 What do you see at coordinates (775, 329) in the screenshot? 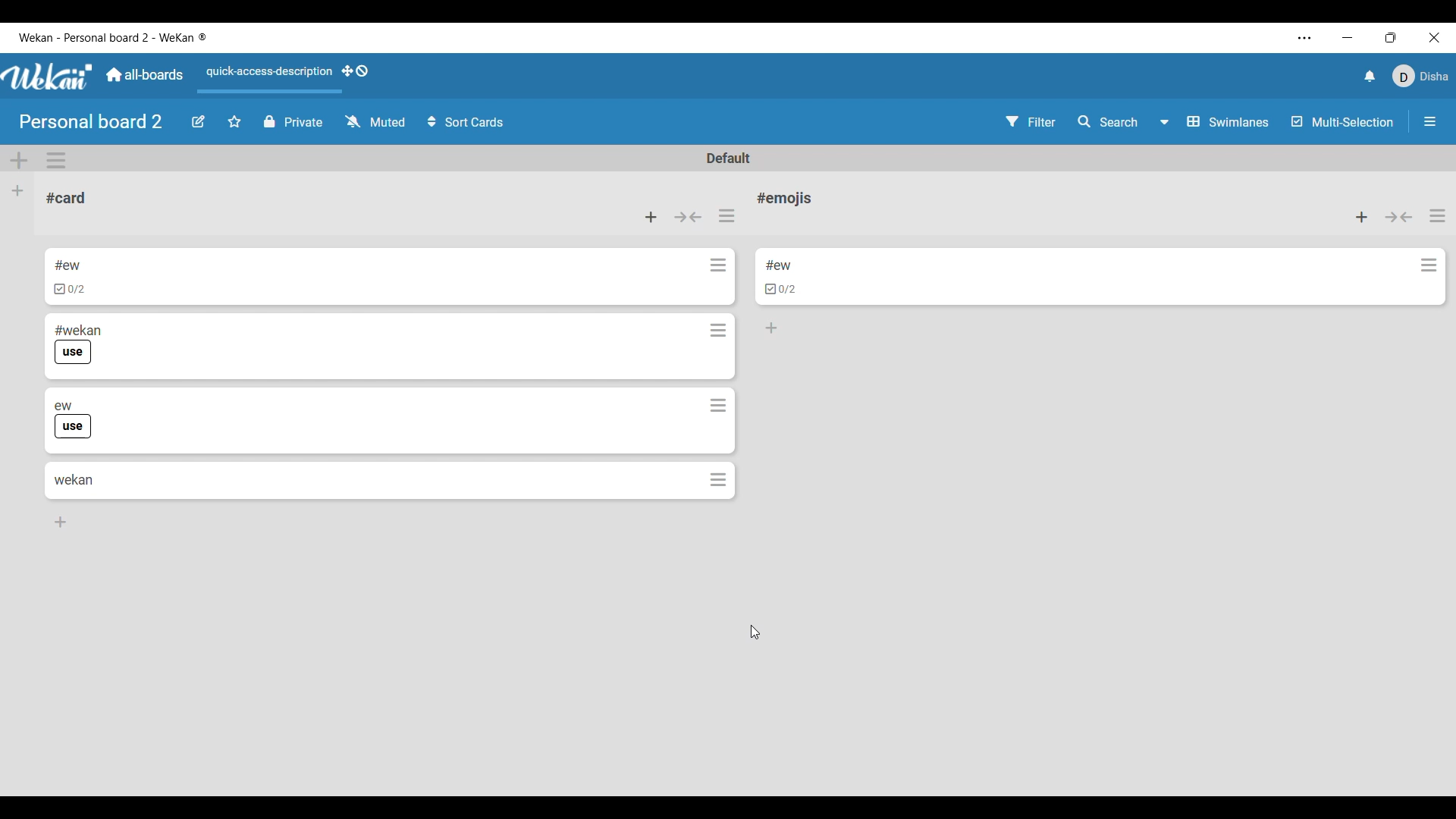
I see `Add` at bounding box center [775, 329].